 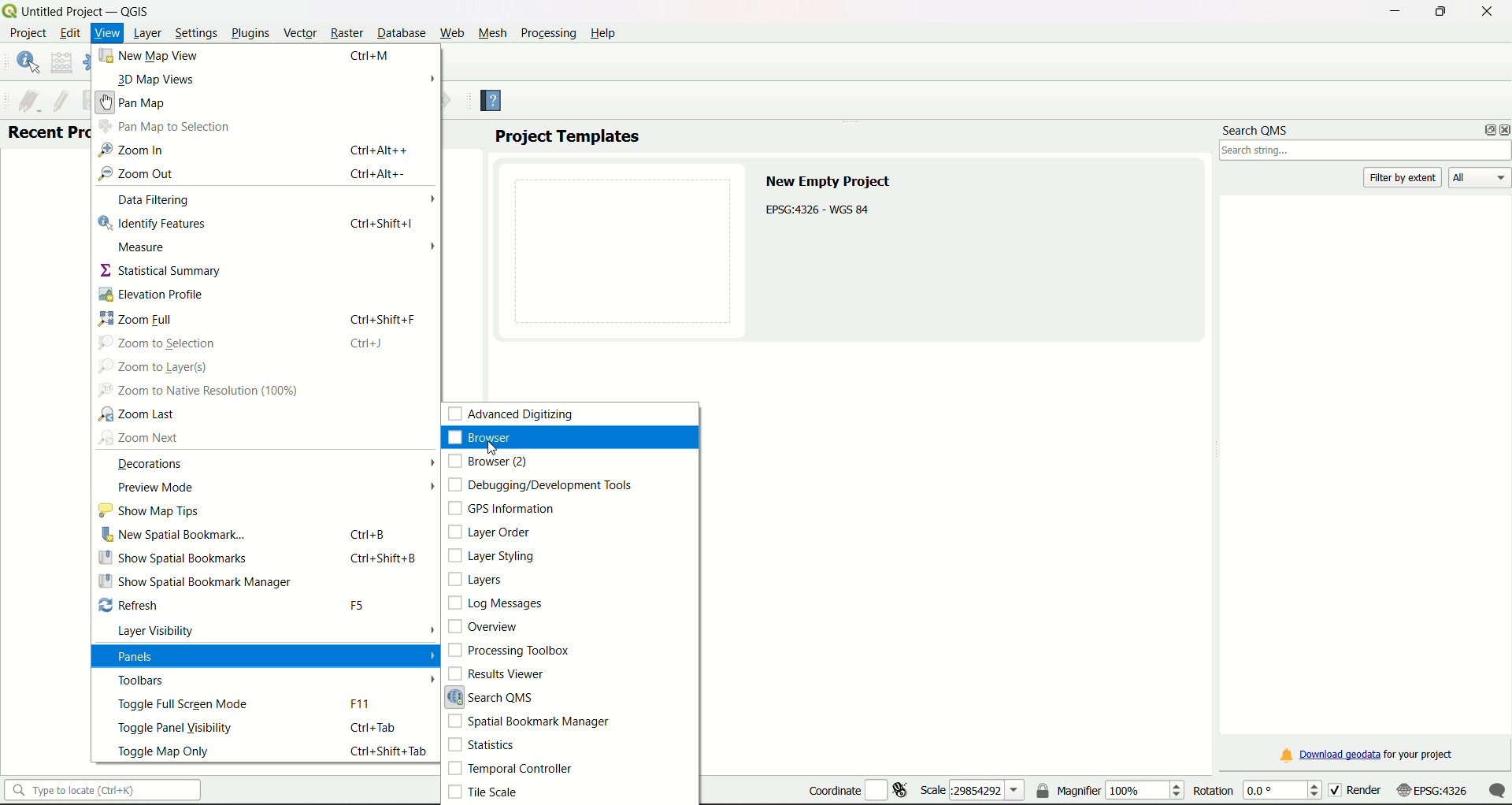 What do you see at coordinates (568, 136) in the screenshot?
I see `project templates` at bounding box center [568, 136].